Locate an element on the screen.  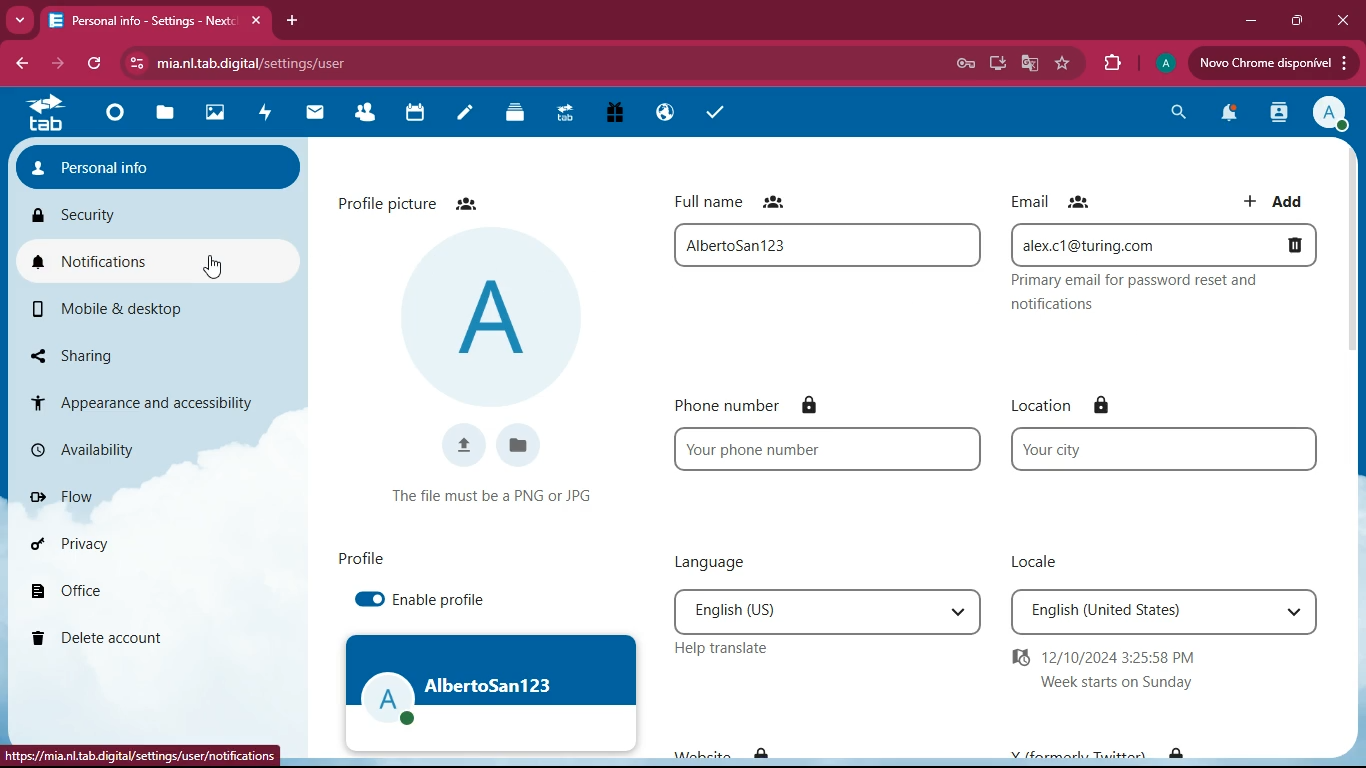
extensions is located at coordinates (1112, 64).